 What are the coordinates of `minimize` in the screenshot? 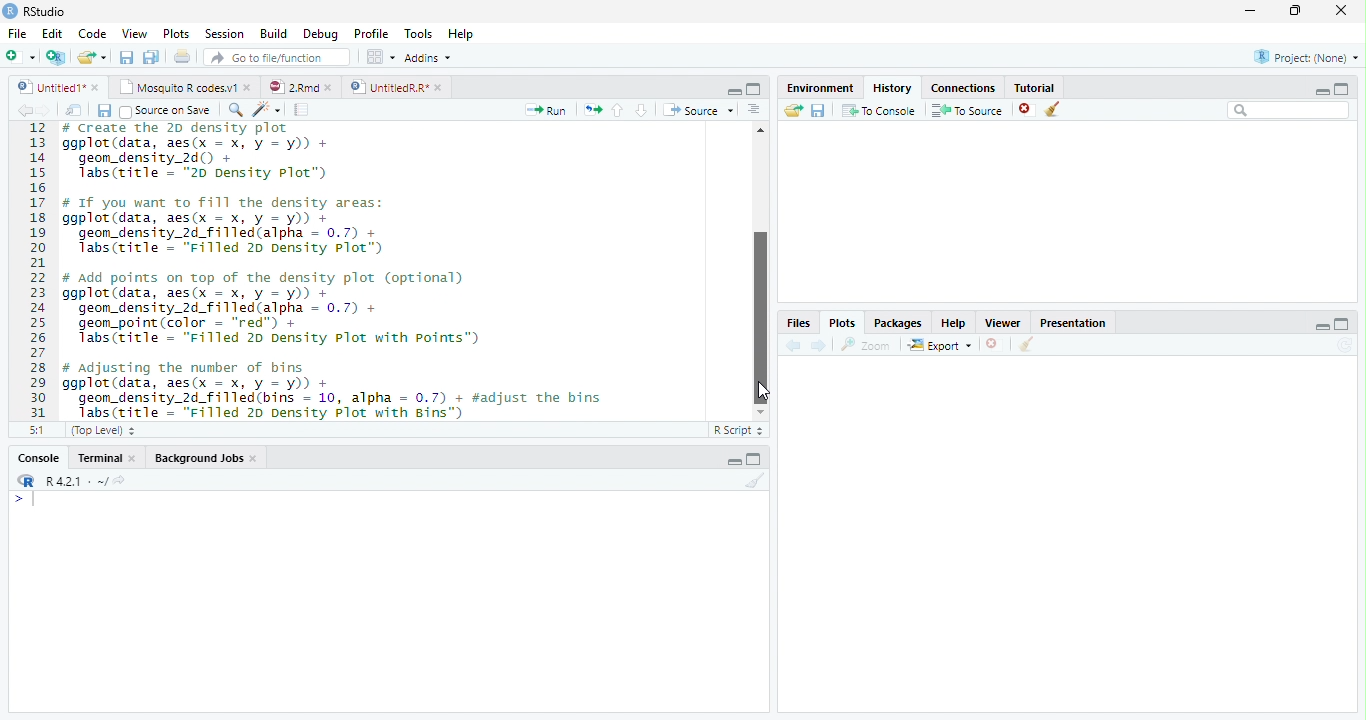 It's located at (1323, 326).